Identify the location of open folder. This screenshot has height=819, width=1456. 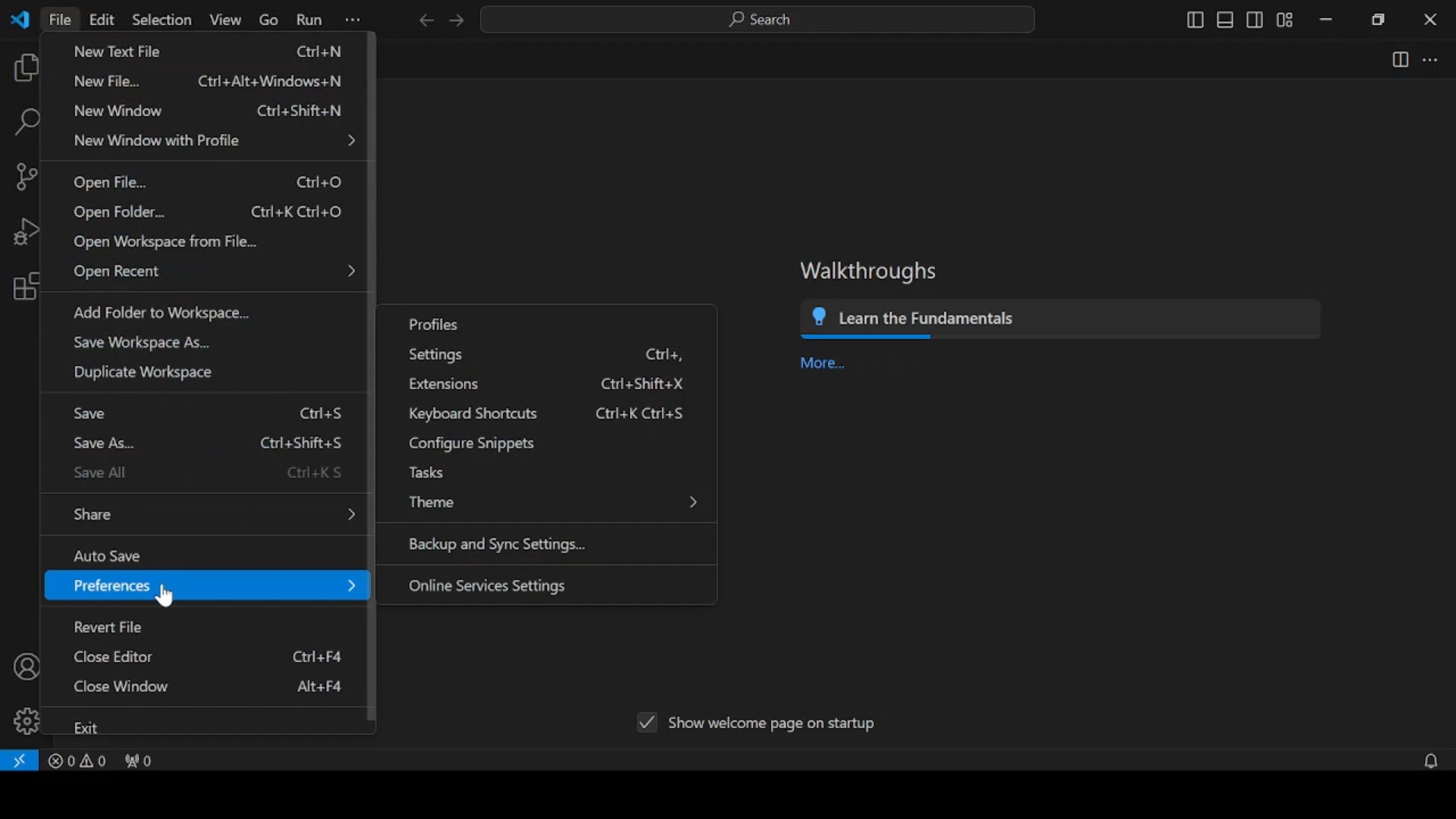
(121, 212).